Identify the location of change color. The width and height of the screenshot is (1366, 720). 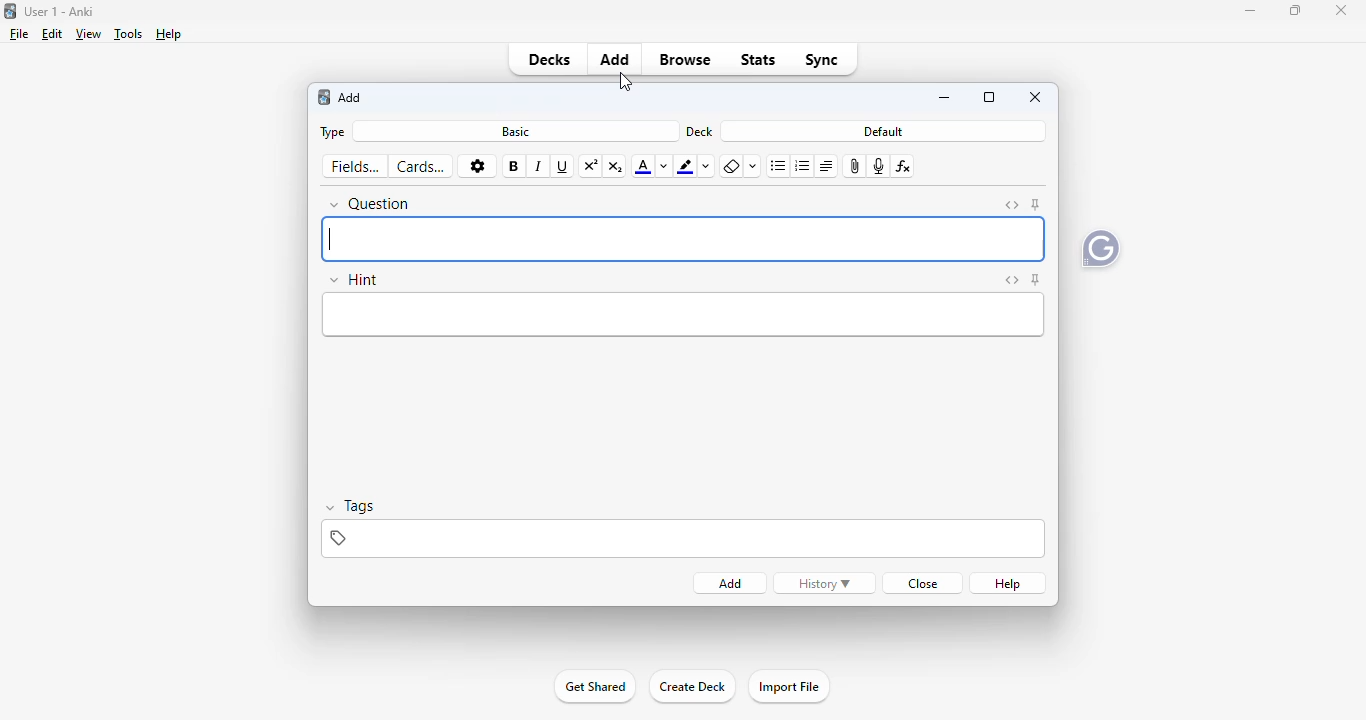
(707, 167).